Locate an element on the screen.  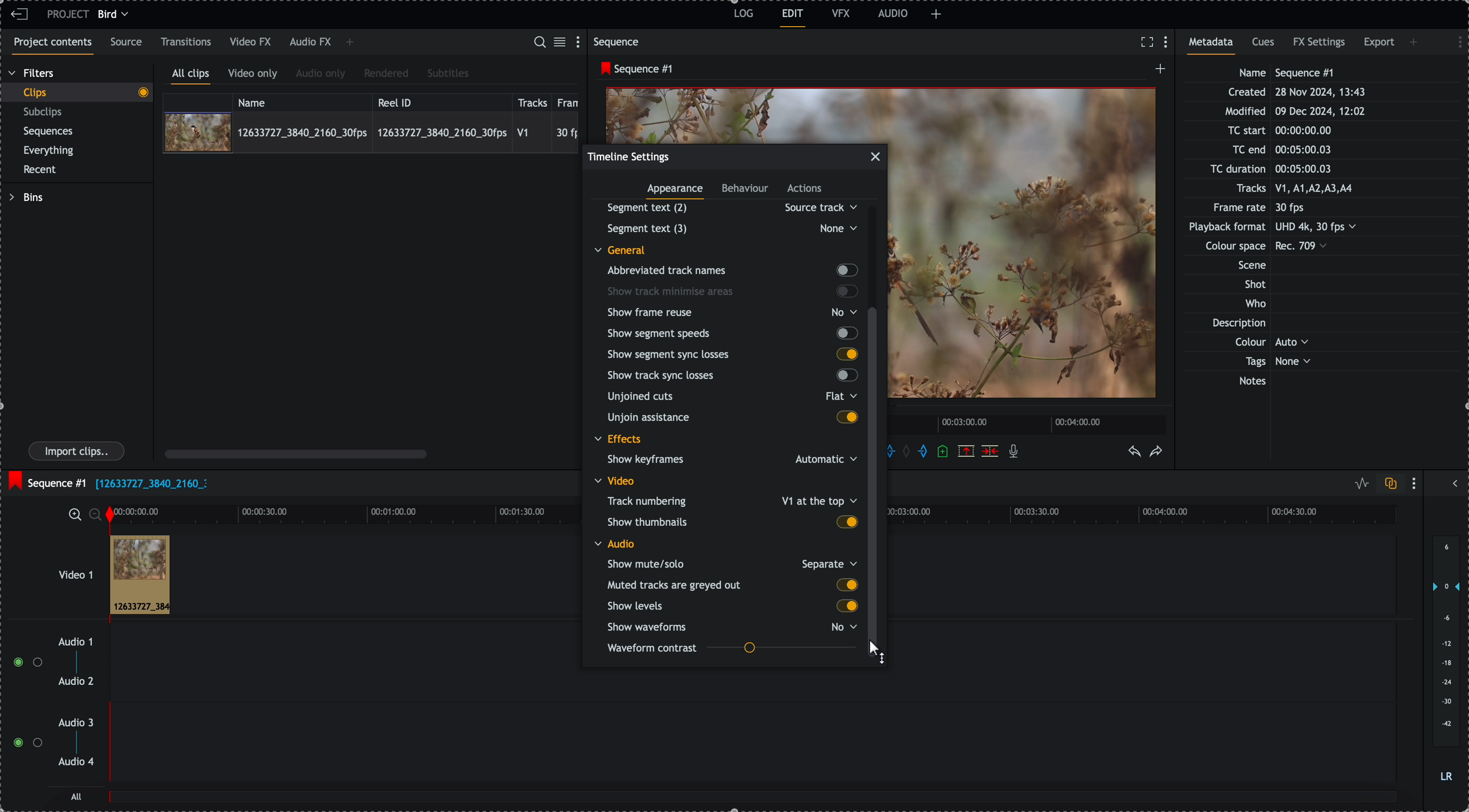
add panel is located at coordinates (1415, 42).